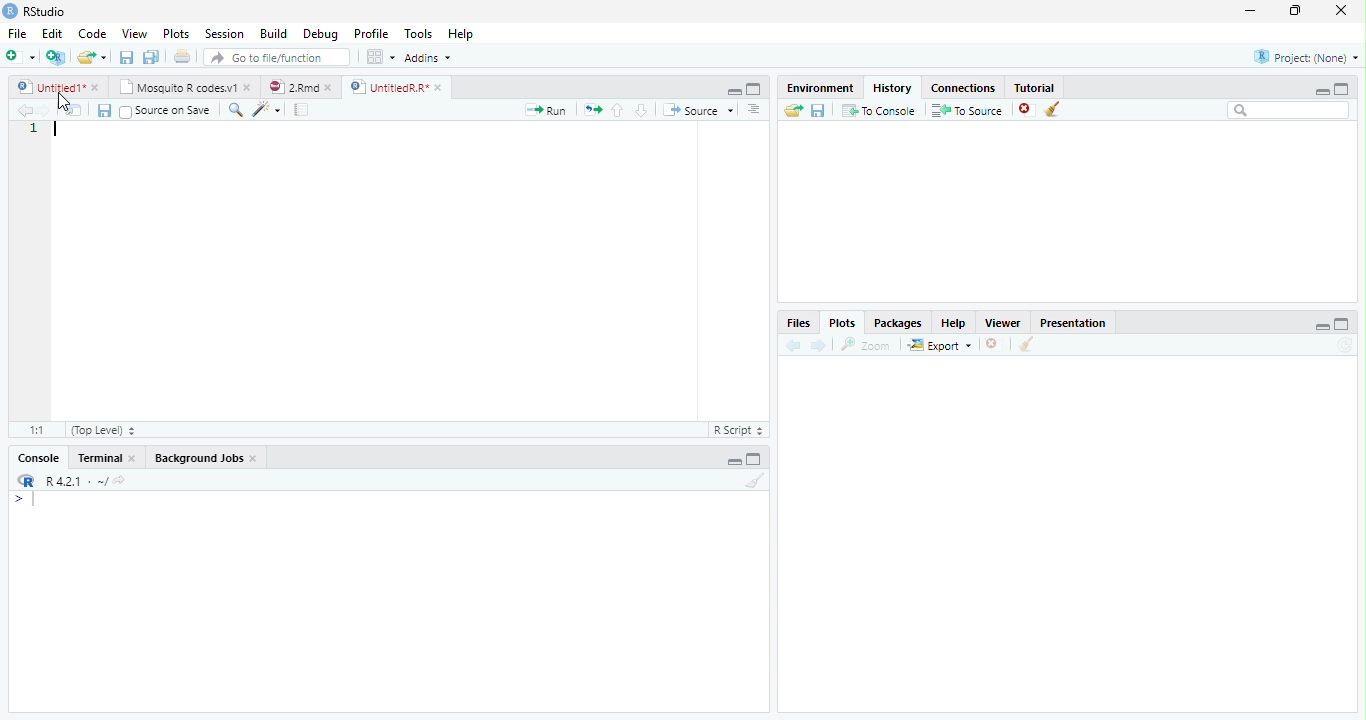 The height and width of the screenshot is (720, 1366). Describe the element at coordinates (62, 104) in the screenshot. I see `cursor` at that location.